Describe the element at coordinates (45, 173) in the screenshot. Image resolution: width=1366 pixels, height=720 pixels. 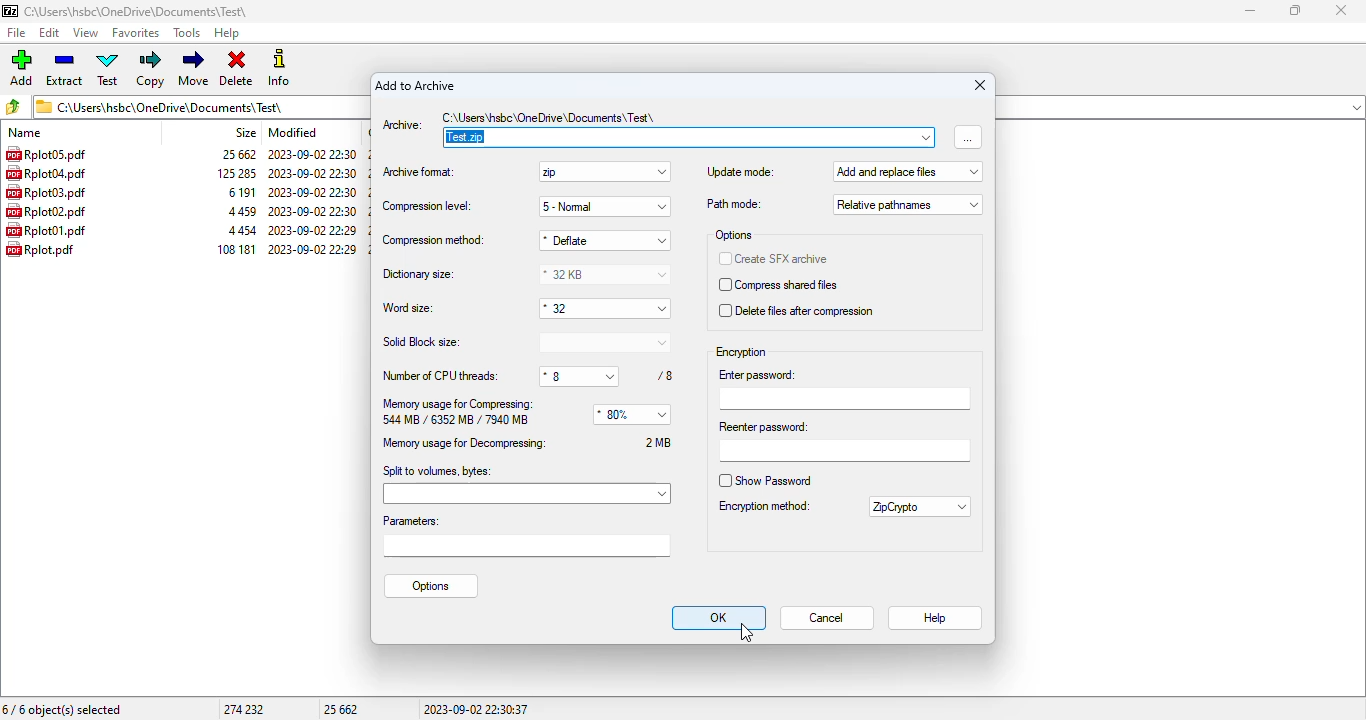
I see `rplot04` at that location.